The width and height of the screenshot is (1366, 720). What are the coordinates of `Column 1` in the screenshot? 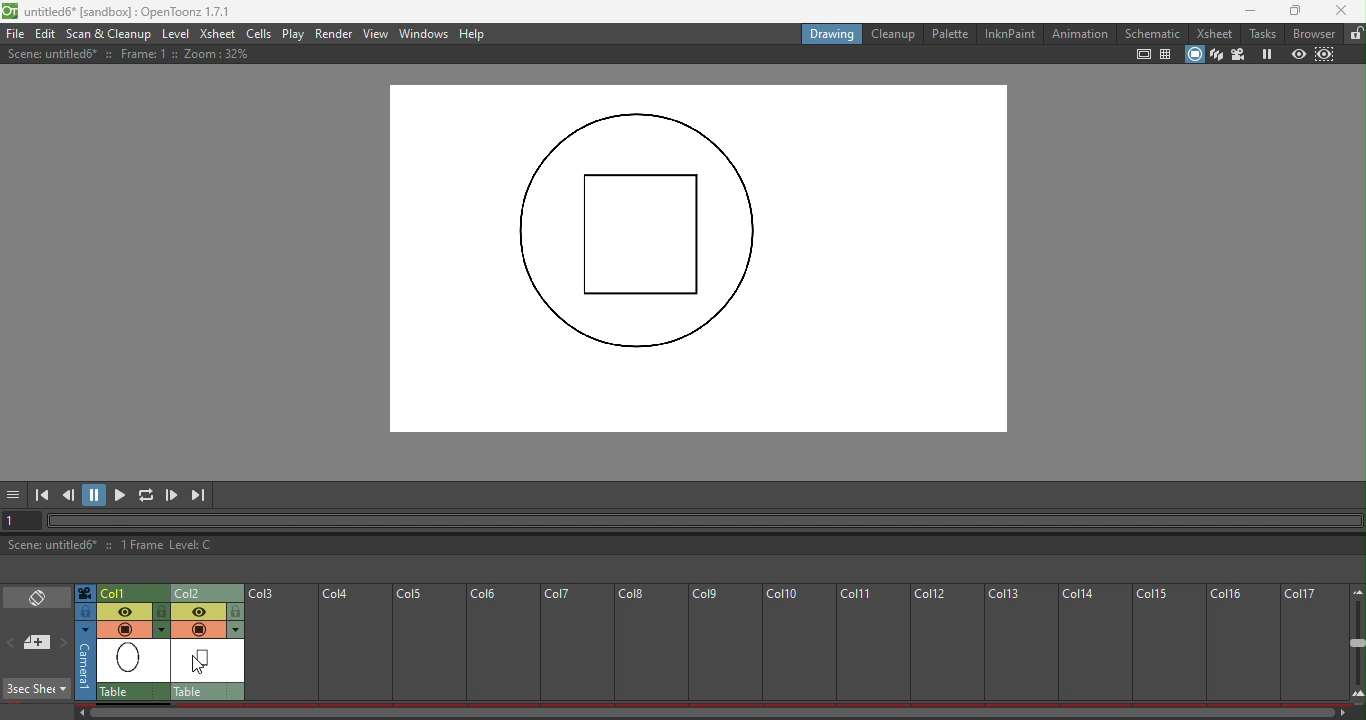 It's located at (131, 592).